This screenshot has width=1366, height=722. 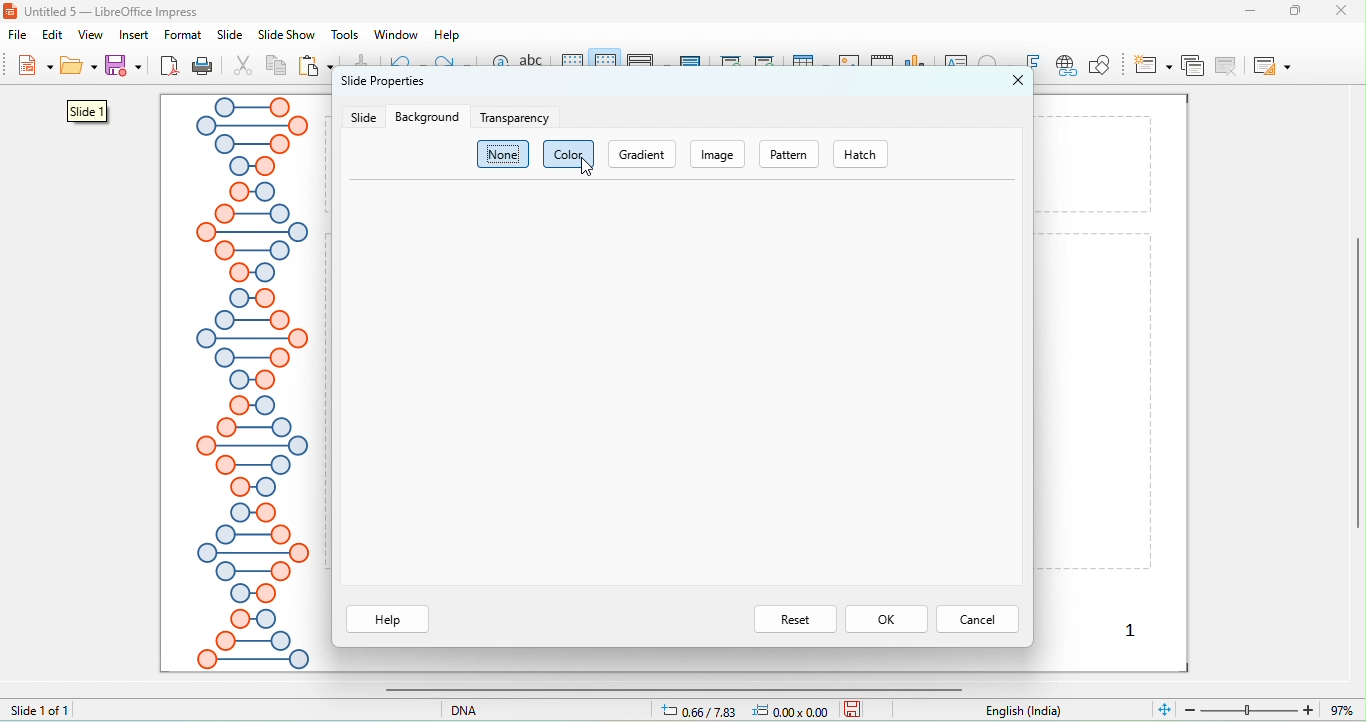 What do you see at coordinates (389, 620) in the screenshot?
I see `help` at bounding box center [389, 620].